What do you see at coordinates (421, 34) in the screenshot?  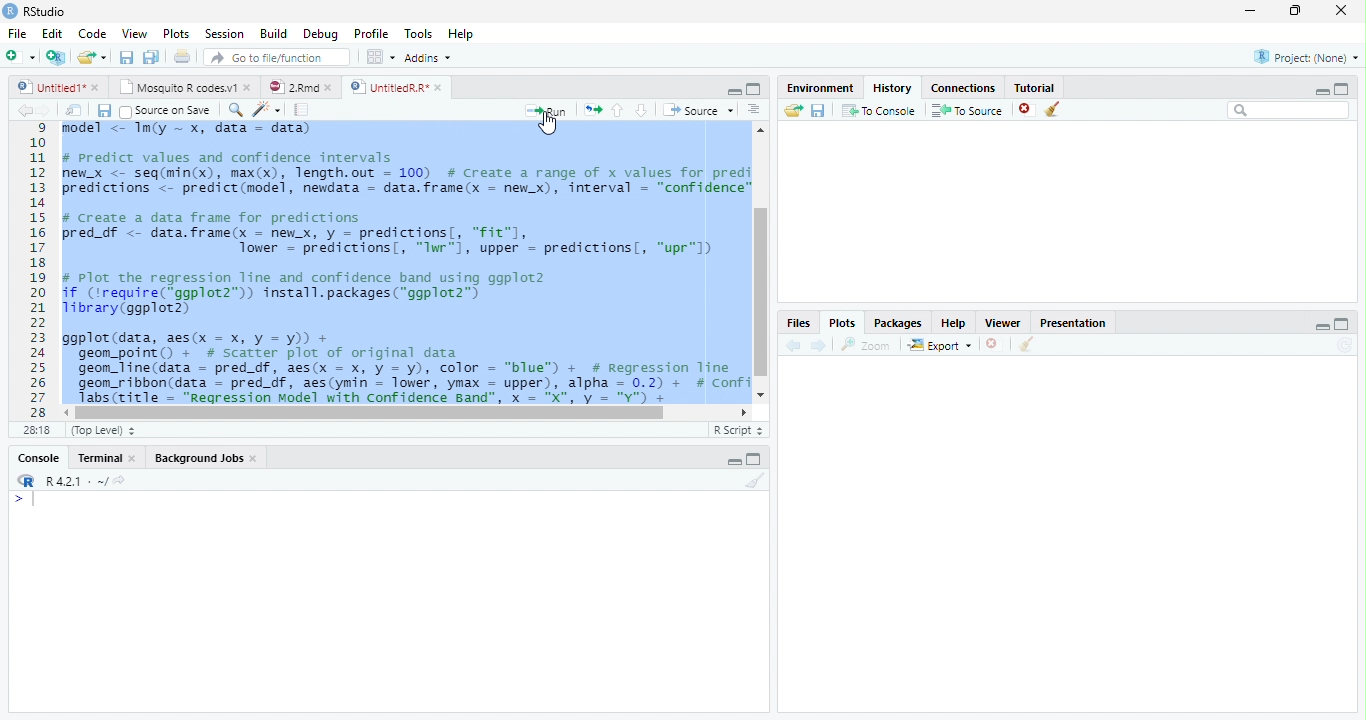 I see `Tools` at bounding box center [421, 34].